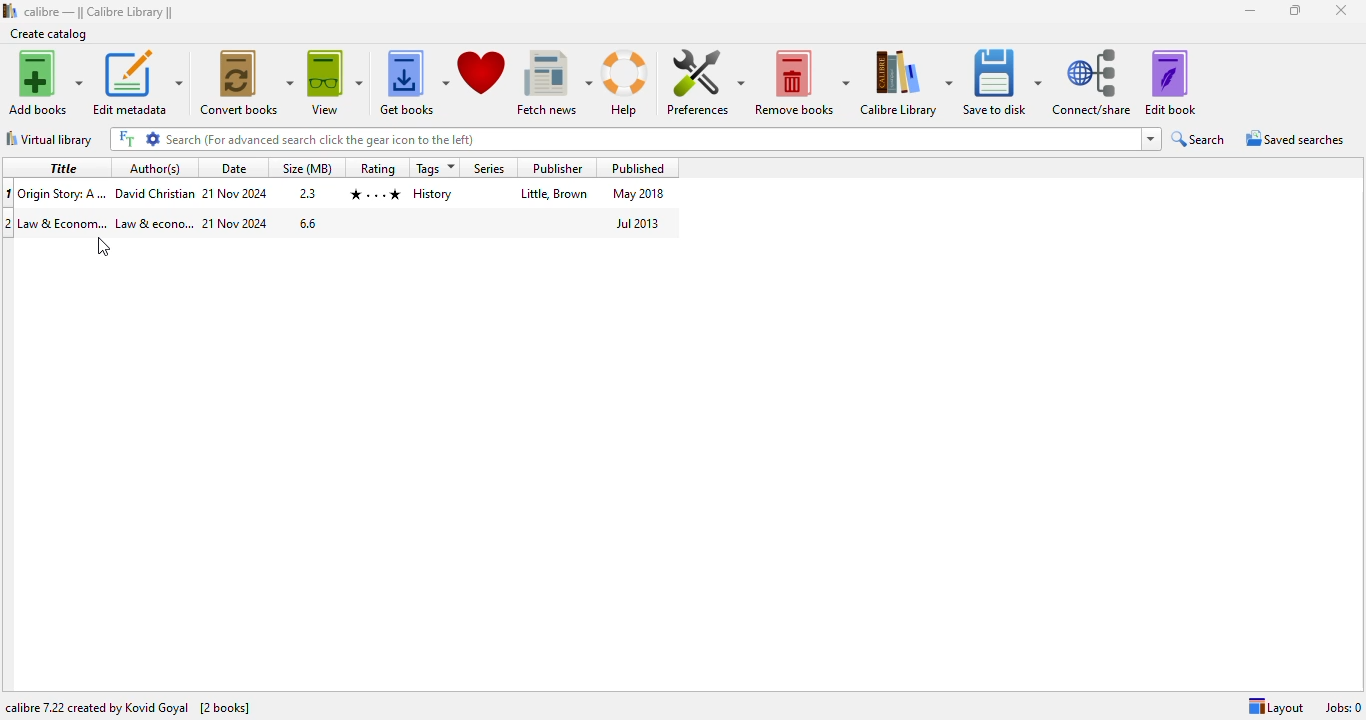 This screenshot has width=1366, height=720. Describe the element at coordinates (375, 193) in the screenshot. I see `rating` at that location.